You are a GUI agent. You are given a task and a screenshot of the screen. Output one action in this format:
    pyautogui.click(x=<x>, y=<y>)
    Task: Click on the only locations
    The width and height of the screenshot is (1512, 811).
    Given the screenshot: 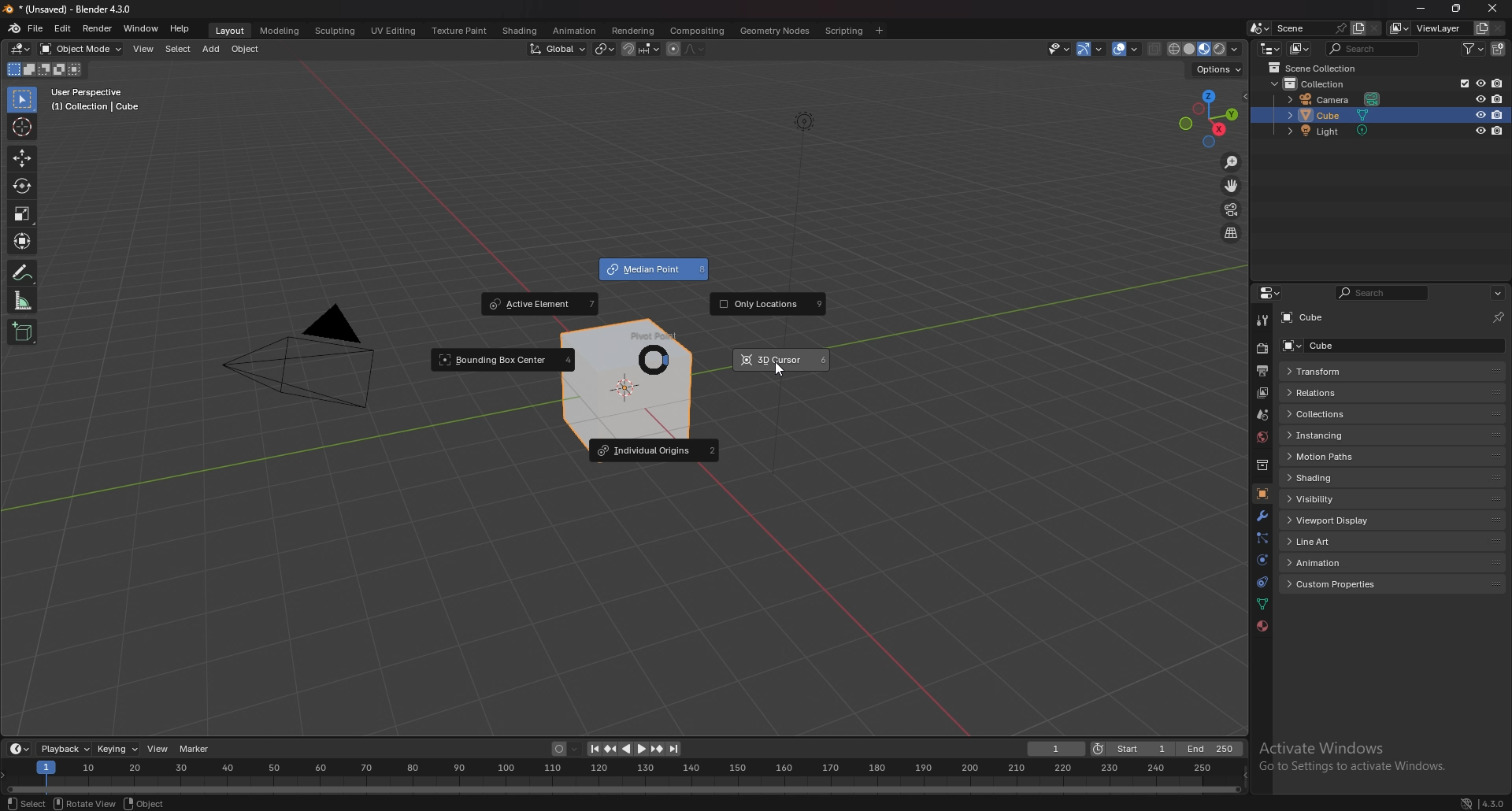 What is the action you would take?
    pyautogui.click(x=769, y=305)
    